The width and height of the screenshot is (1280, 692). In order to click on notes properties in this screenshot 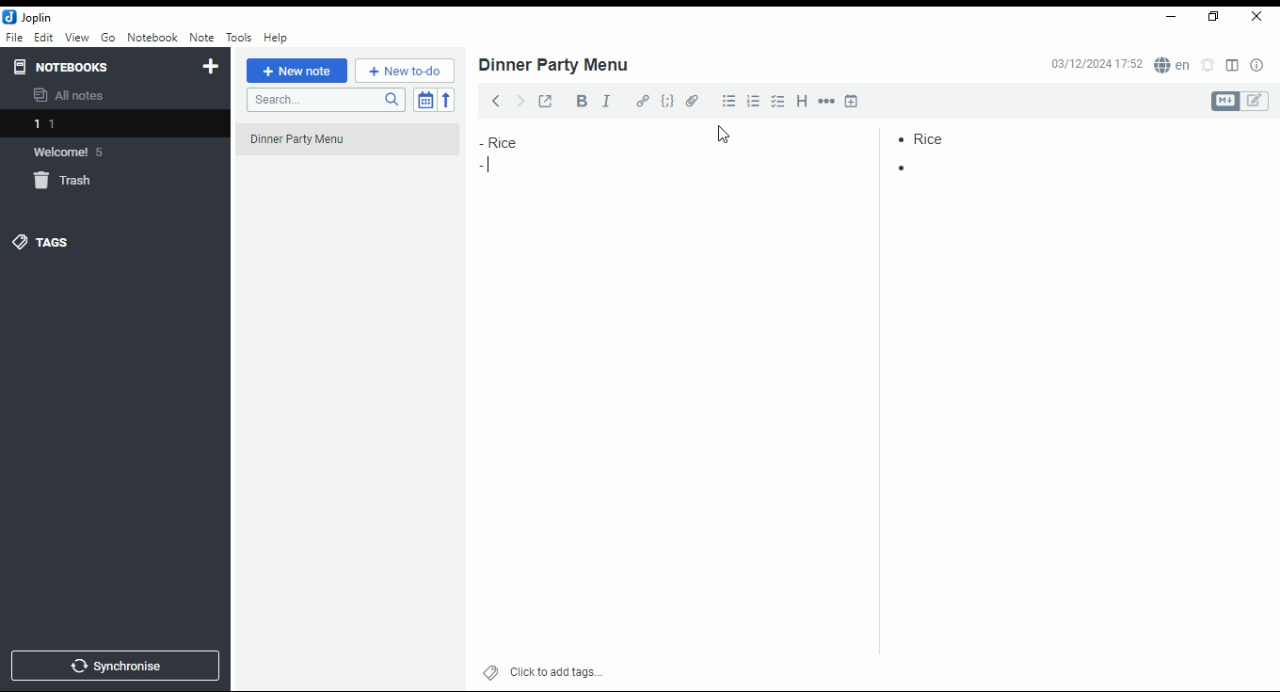, I will do `click(1258, 65)`.